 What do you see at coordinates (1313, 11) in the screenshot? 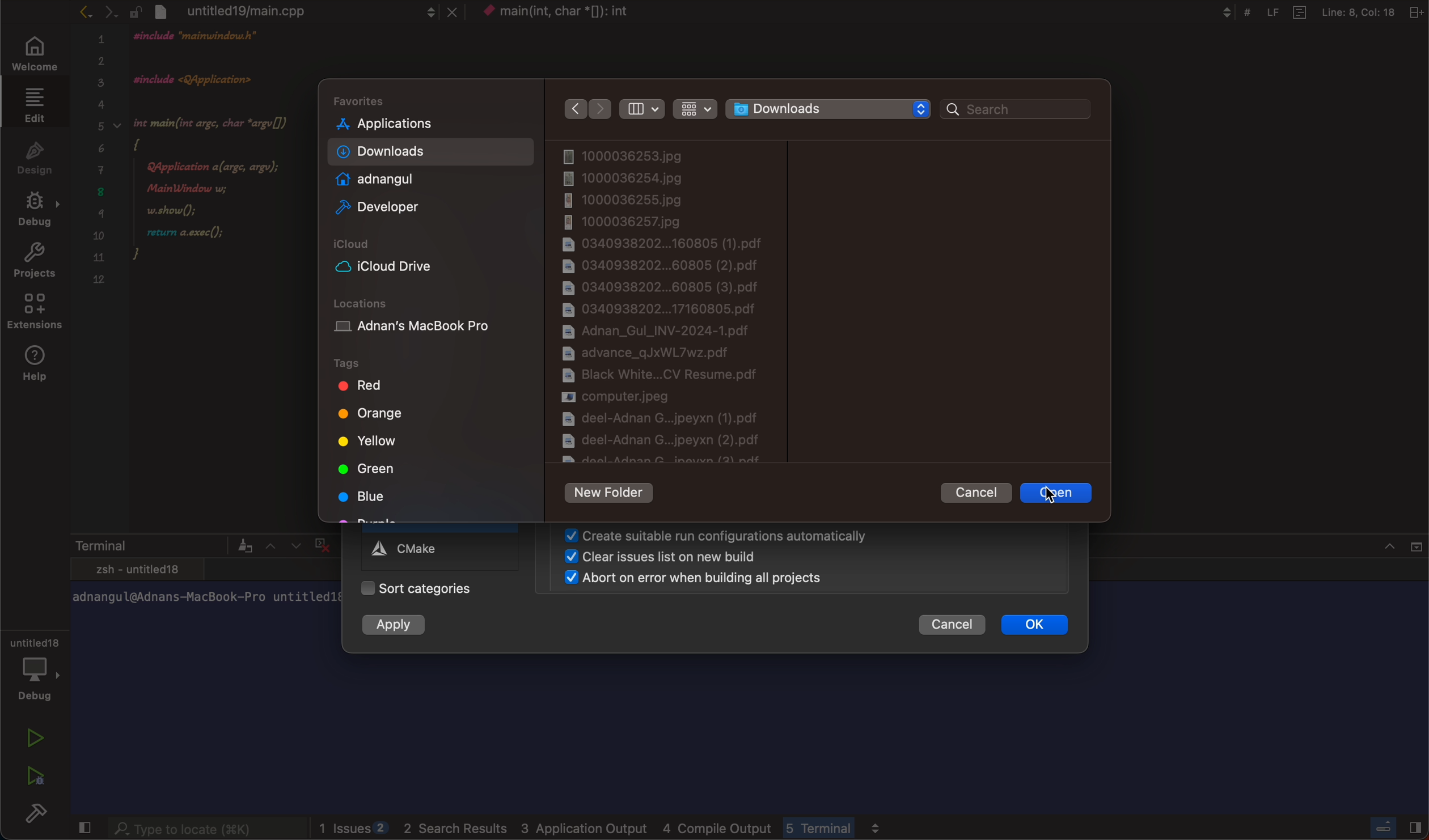
I see `` at bounding box center [1313, 11].